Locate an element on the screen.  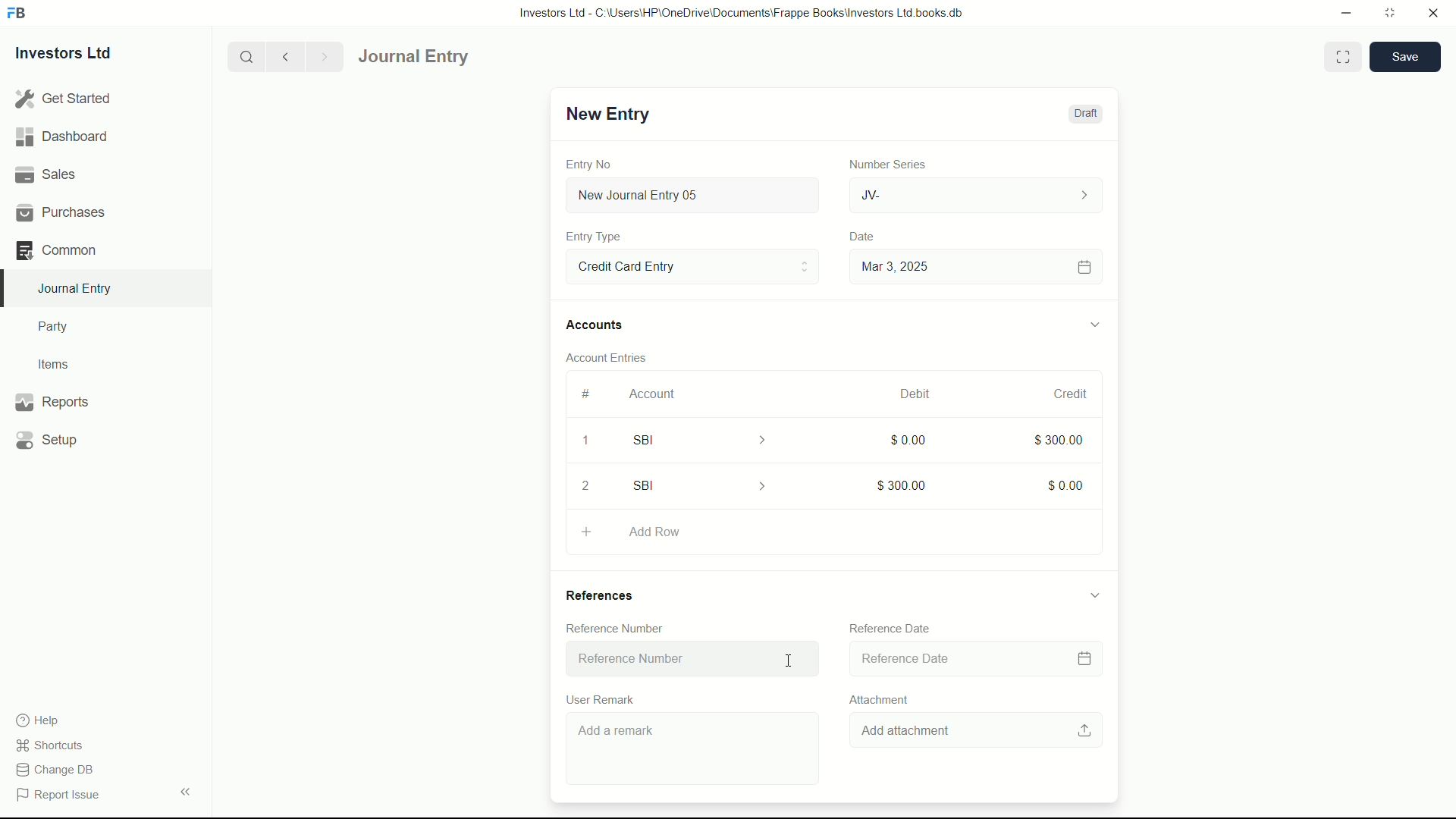
References is located at coordinates (614, 595).